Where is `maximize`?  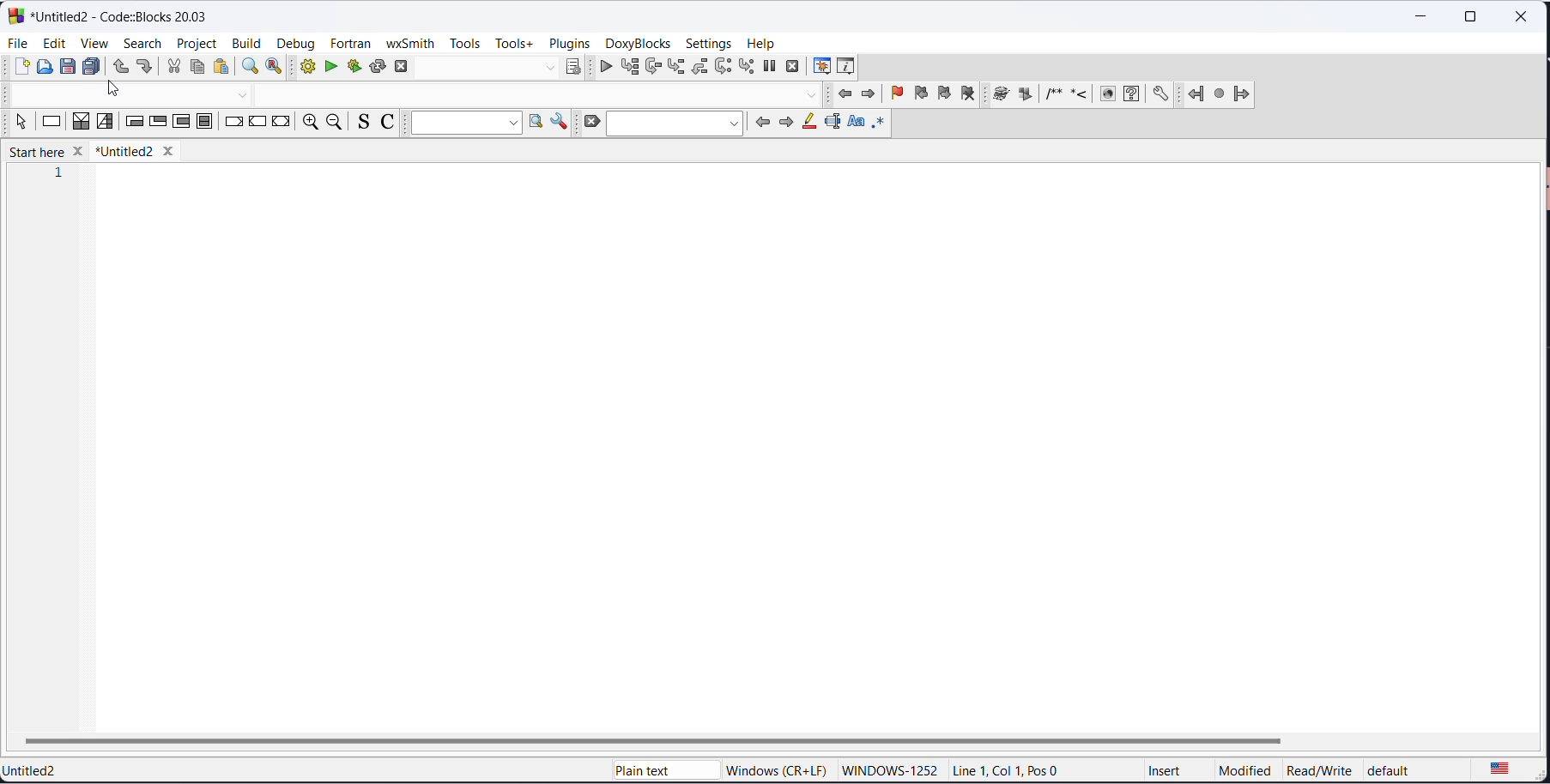
maximize is located at coordinates (1476, 17).